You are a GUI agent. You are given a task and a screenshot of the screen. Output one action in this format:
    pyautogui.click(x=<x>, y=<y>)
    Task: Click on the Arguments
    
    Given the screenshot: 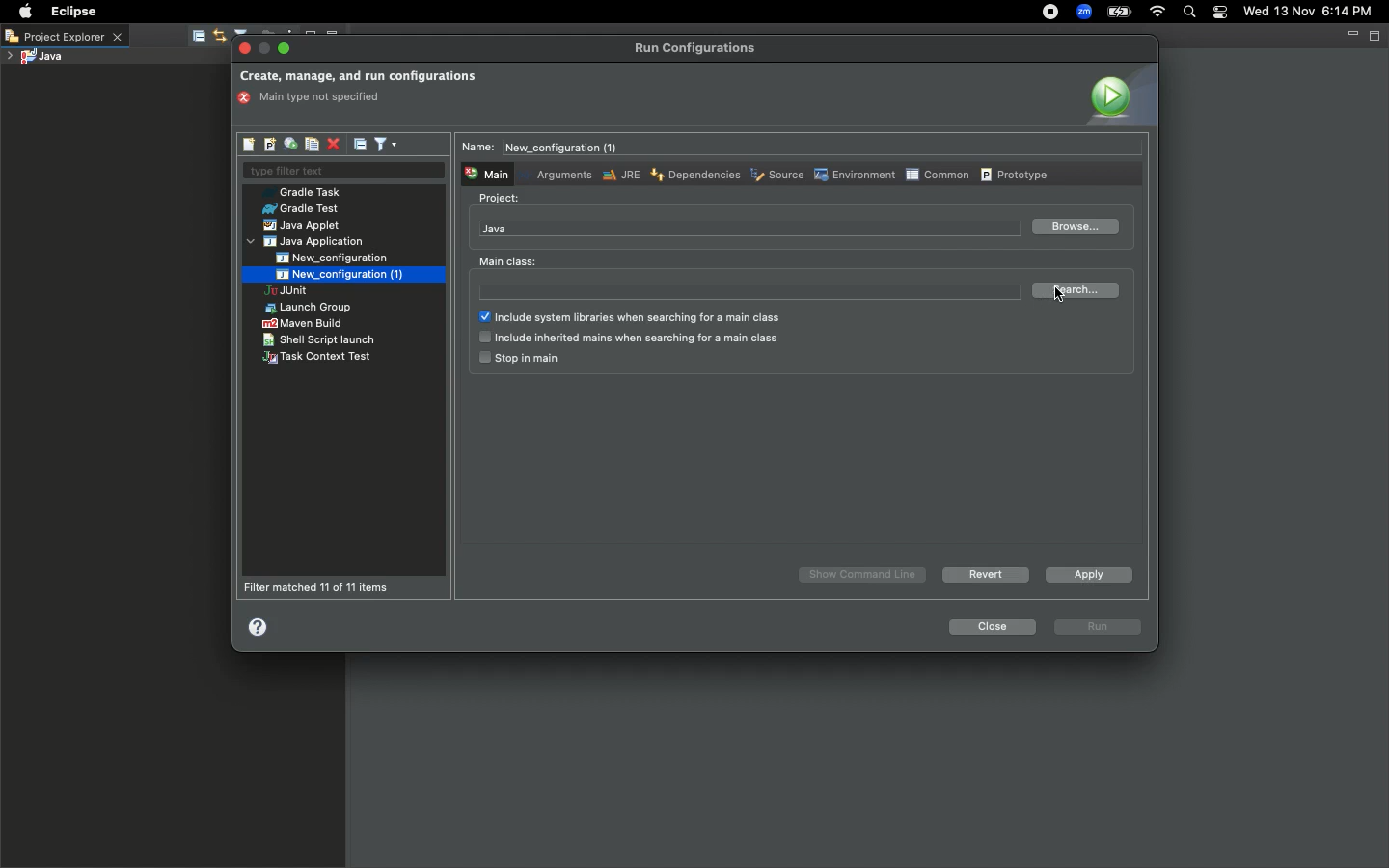 What is the action you would take?
    pyautogui.click(x=560, y=174)
    